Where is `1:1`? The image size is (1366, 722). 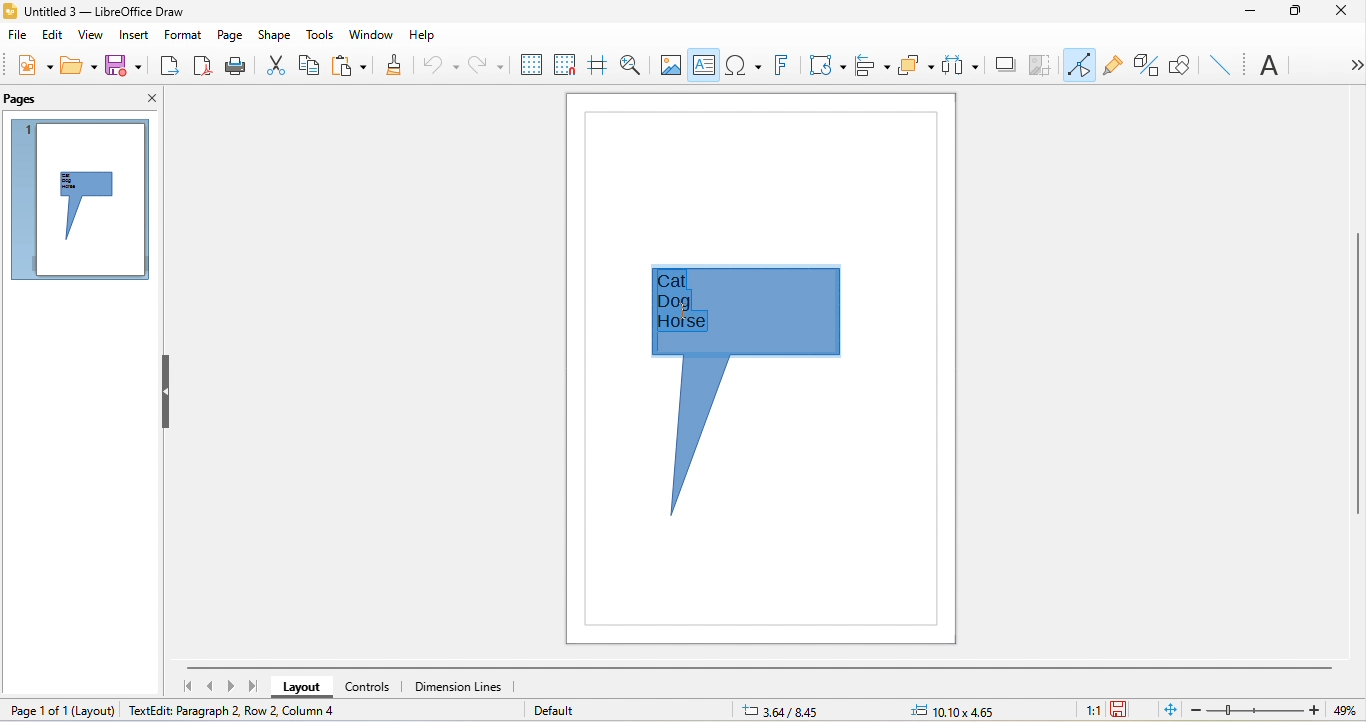
1:1 is located at coordinates (1088, 710).